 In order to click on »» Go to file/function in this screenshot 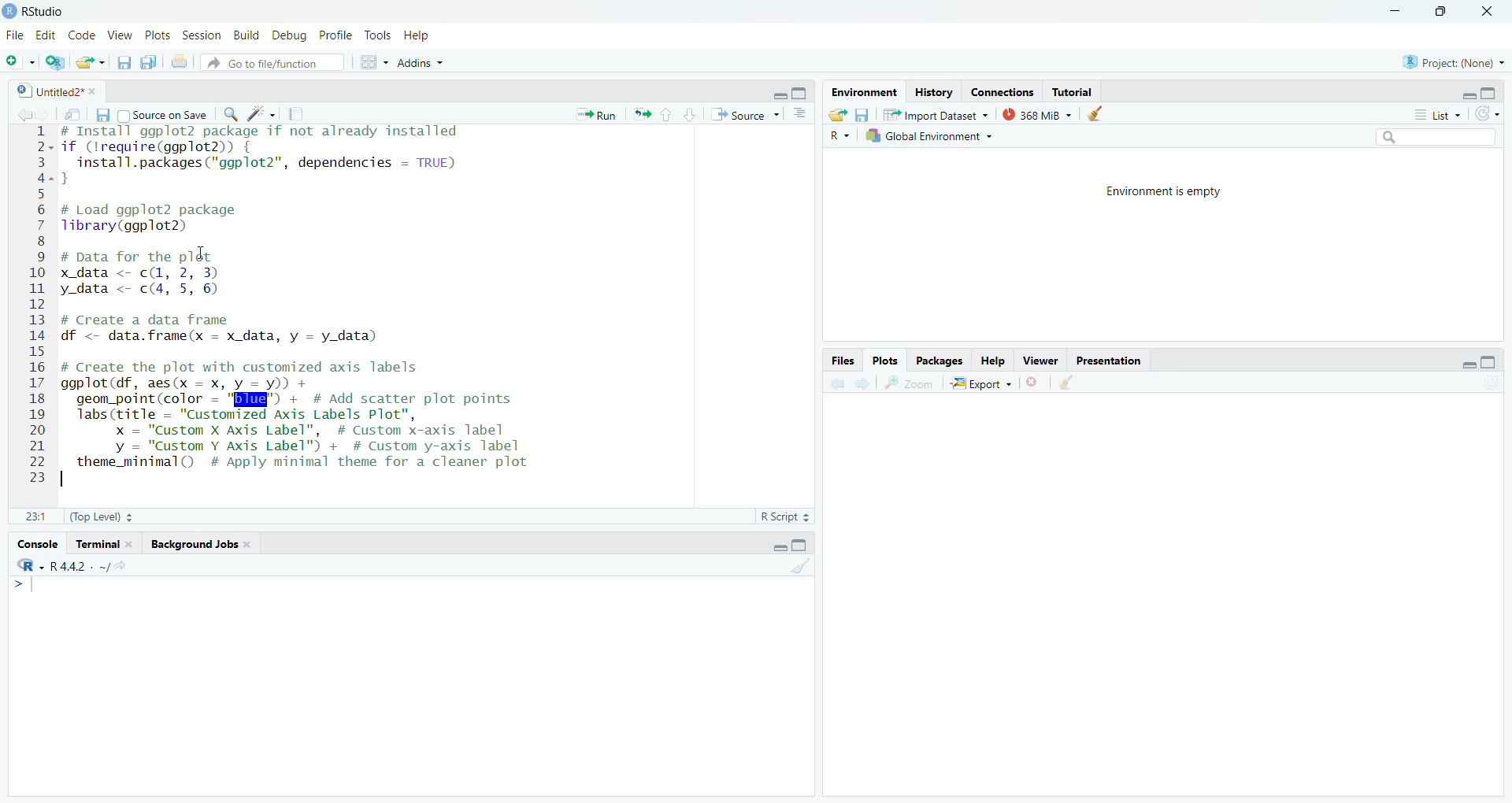, I will do `click(277, 65)`.